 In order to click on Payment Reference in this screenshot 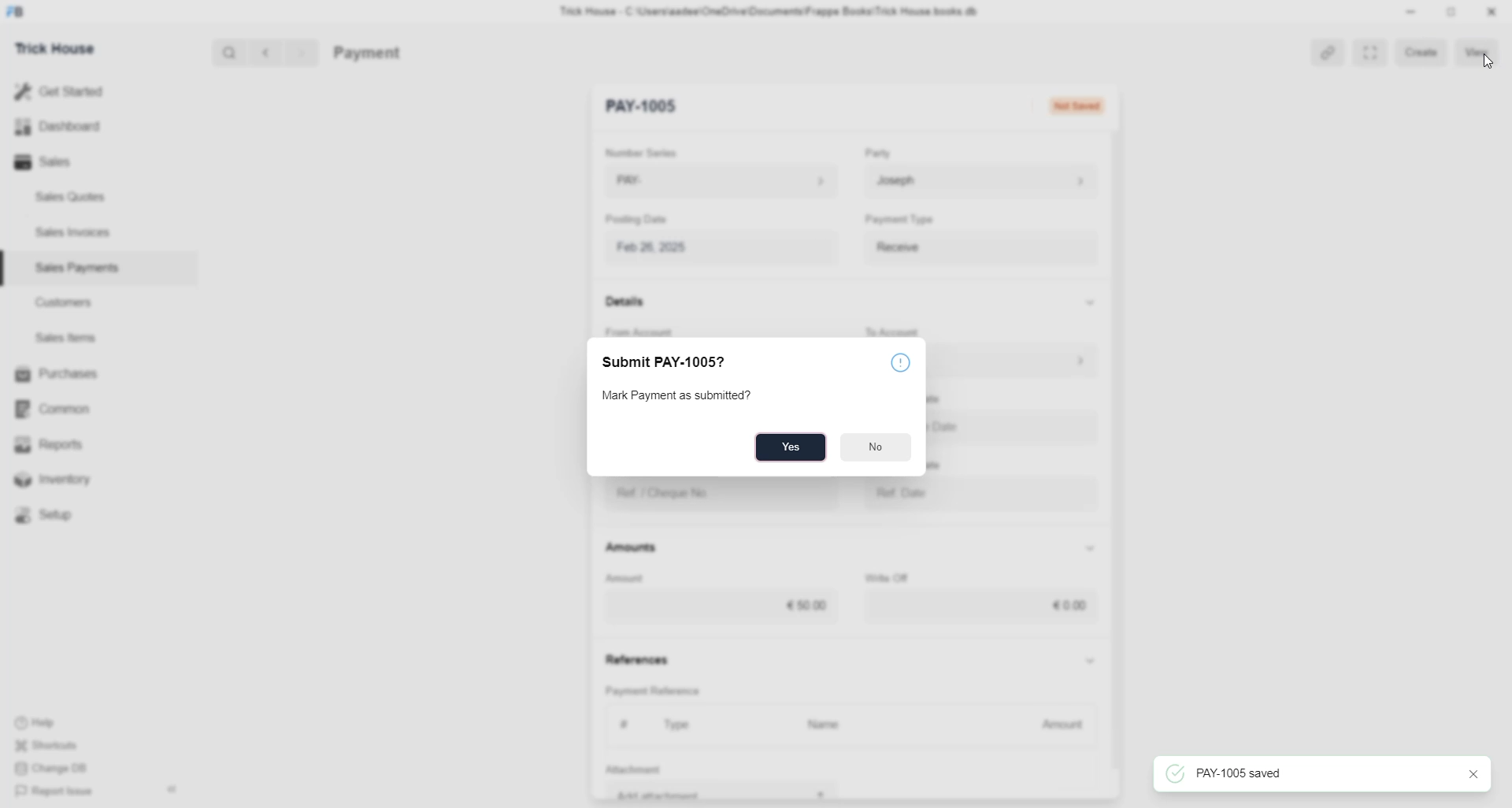, I will do `click(656, 689)`.